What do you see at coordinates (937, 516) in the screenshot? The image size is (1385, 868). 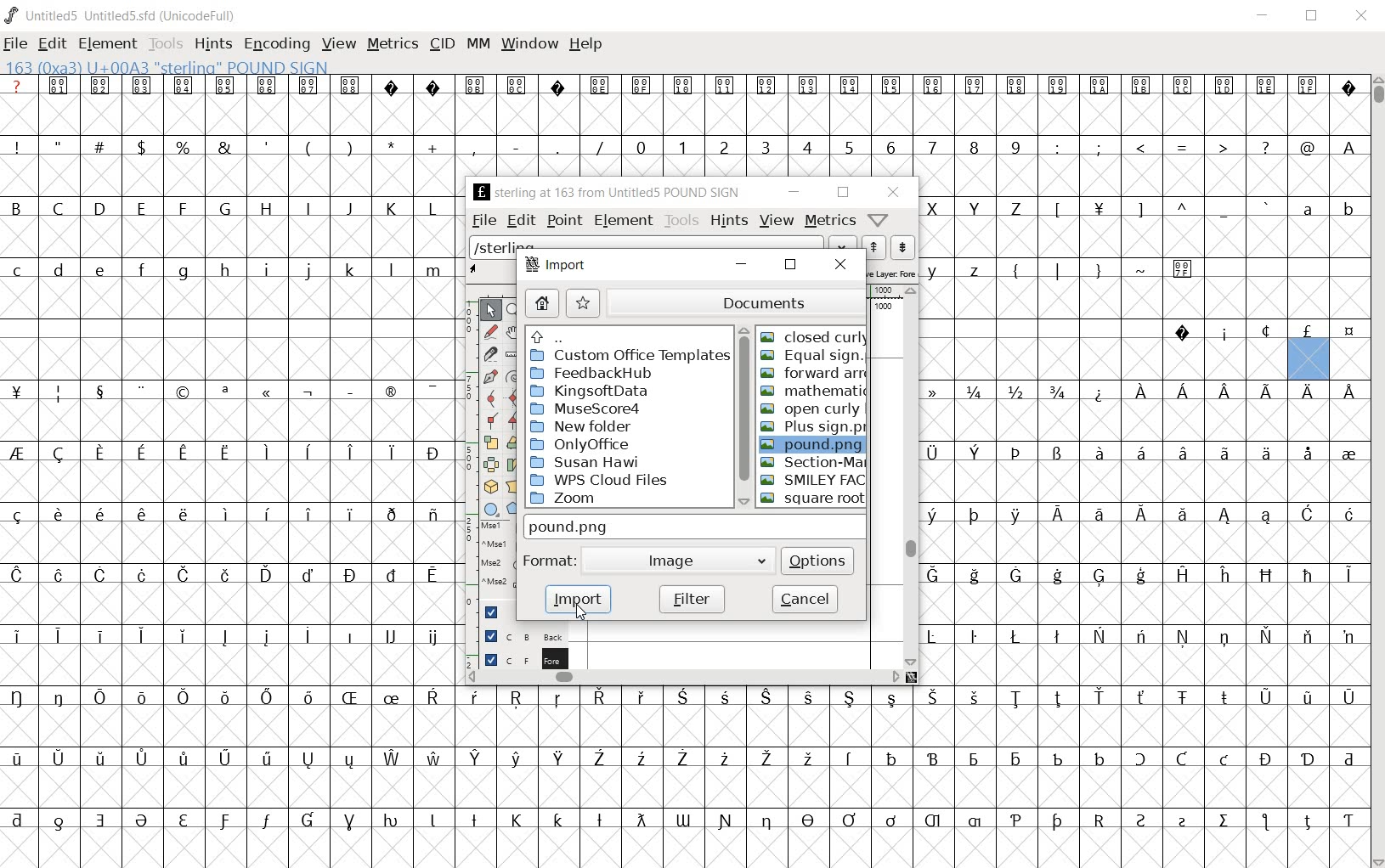 I see `Symbol` at bounding box center [937, 516].